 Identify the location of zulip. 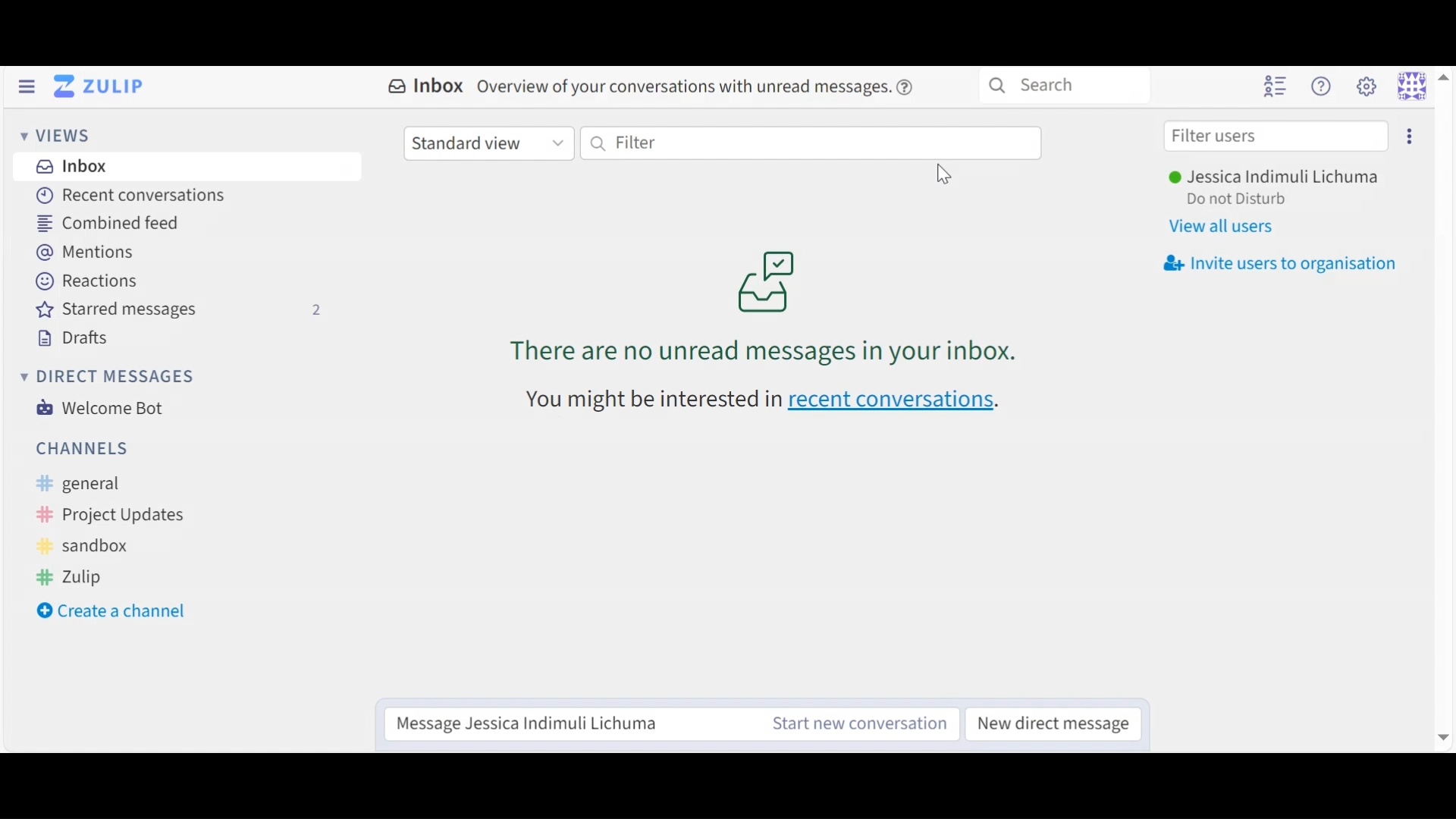
(71, 576).